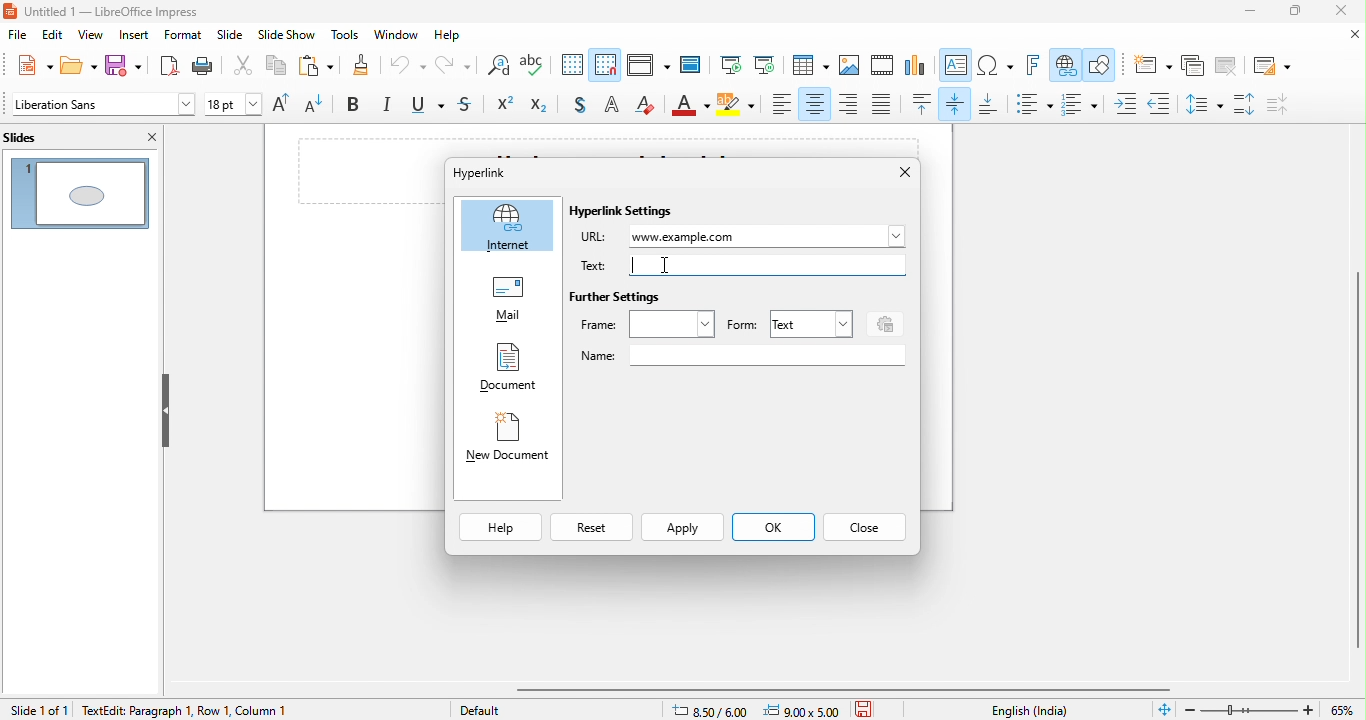 The height and width of the screenshot is (720, 1366). I want to click on format, so click(183, 36).